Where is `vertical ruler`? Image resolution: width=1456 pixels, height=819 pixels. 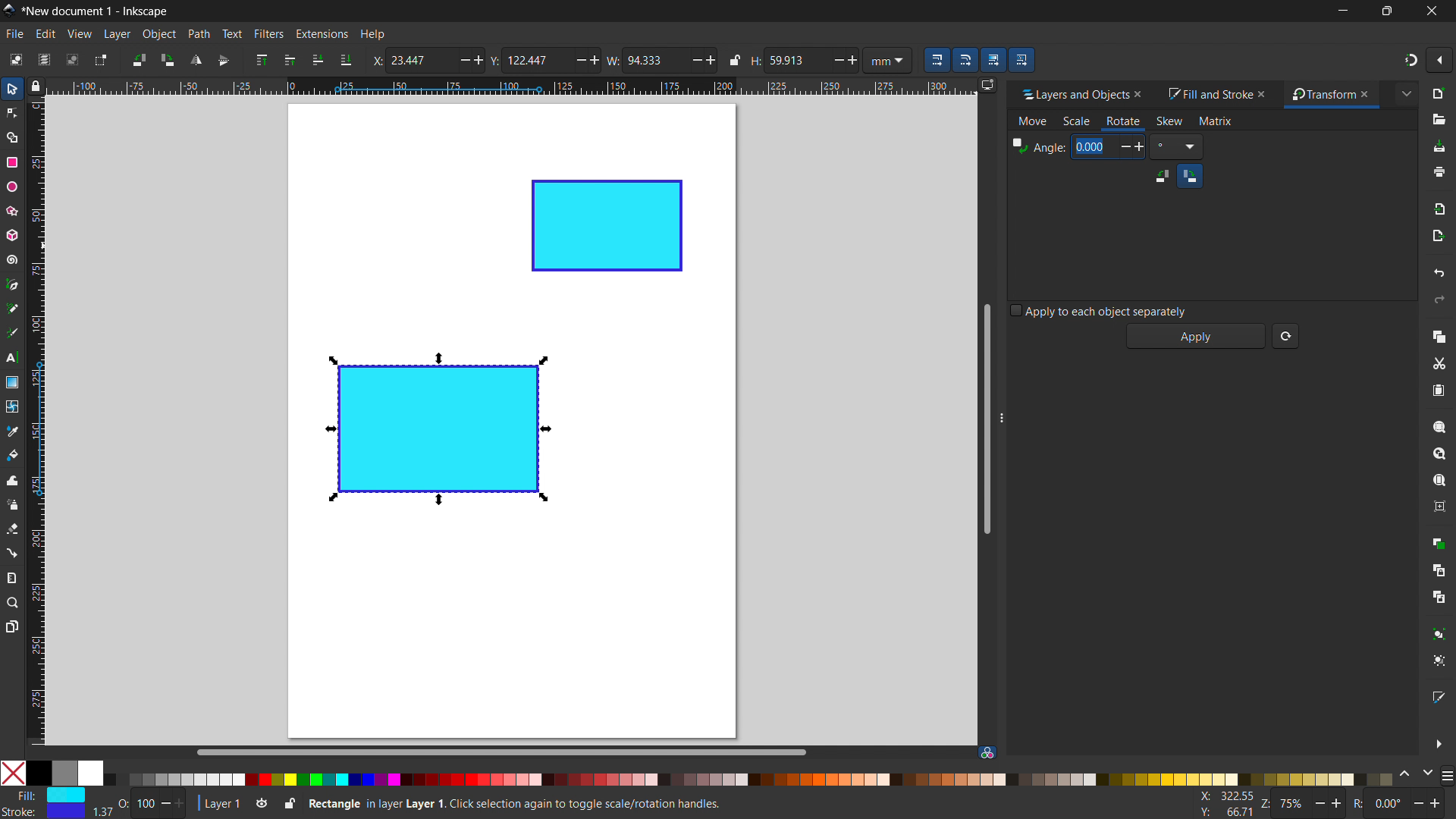
vertical ruler is located at coordinates (36, 424).